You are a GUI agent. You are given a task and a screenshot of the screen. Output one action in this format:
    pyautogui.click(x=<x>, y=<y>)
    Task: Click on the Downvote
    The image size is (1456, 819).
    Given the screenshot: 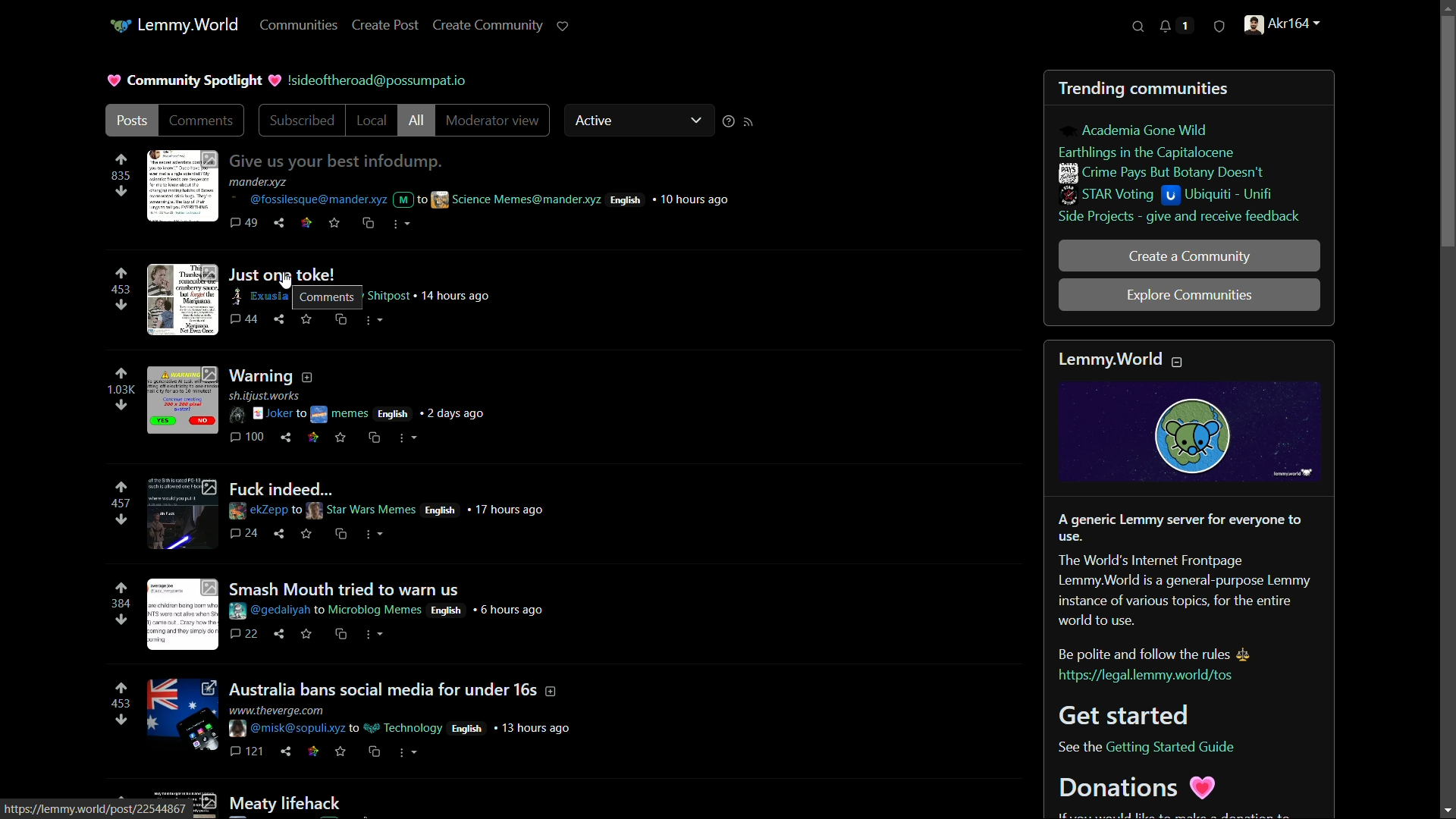 What is the action you would take?
    pyautogui.click(x=124, y=194)
    